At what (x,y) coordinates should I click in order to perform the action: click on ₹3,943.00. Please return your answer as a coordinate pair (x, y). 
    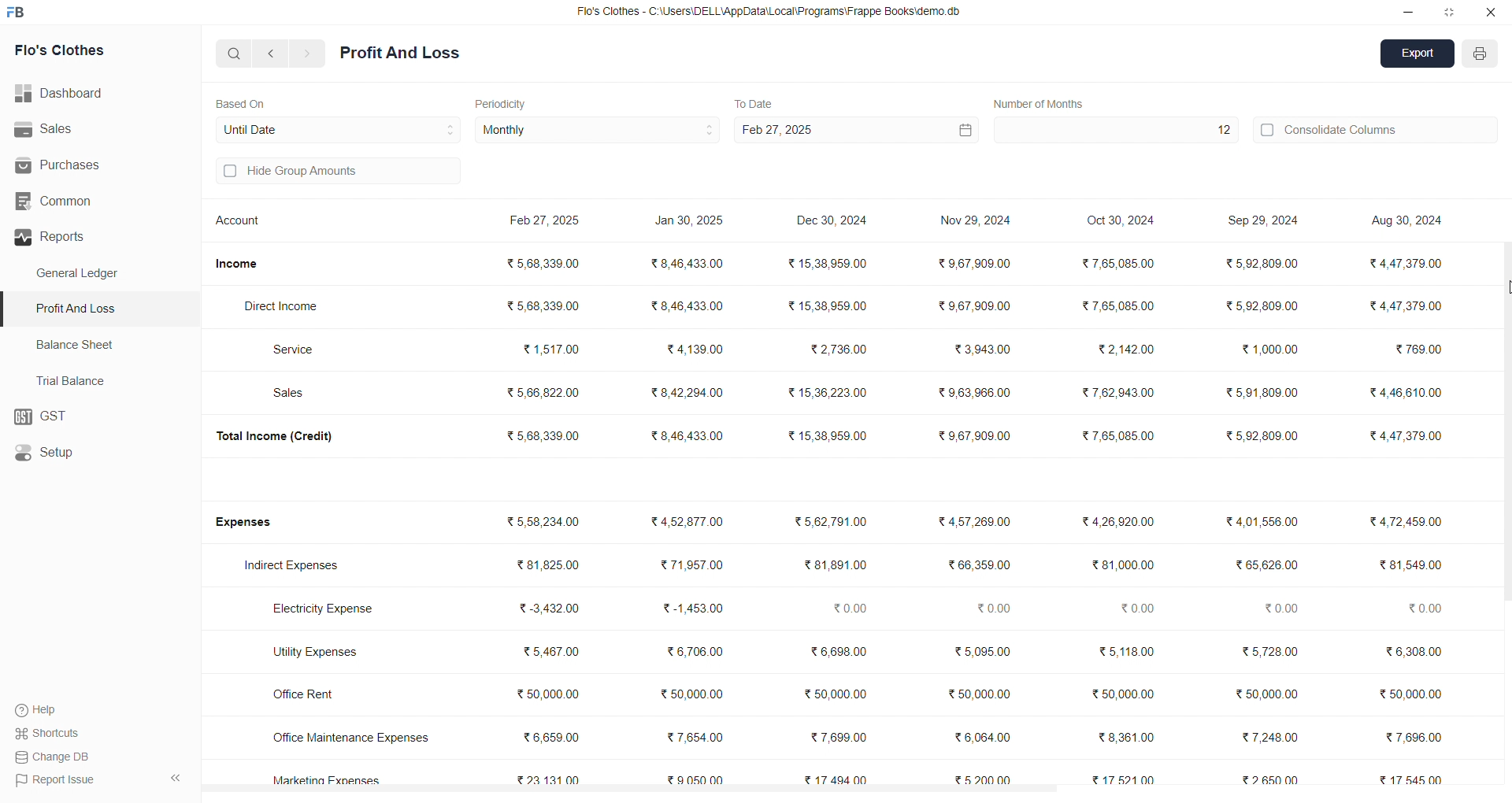
    Looking at the image, I should click on (982, 348).